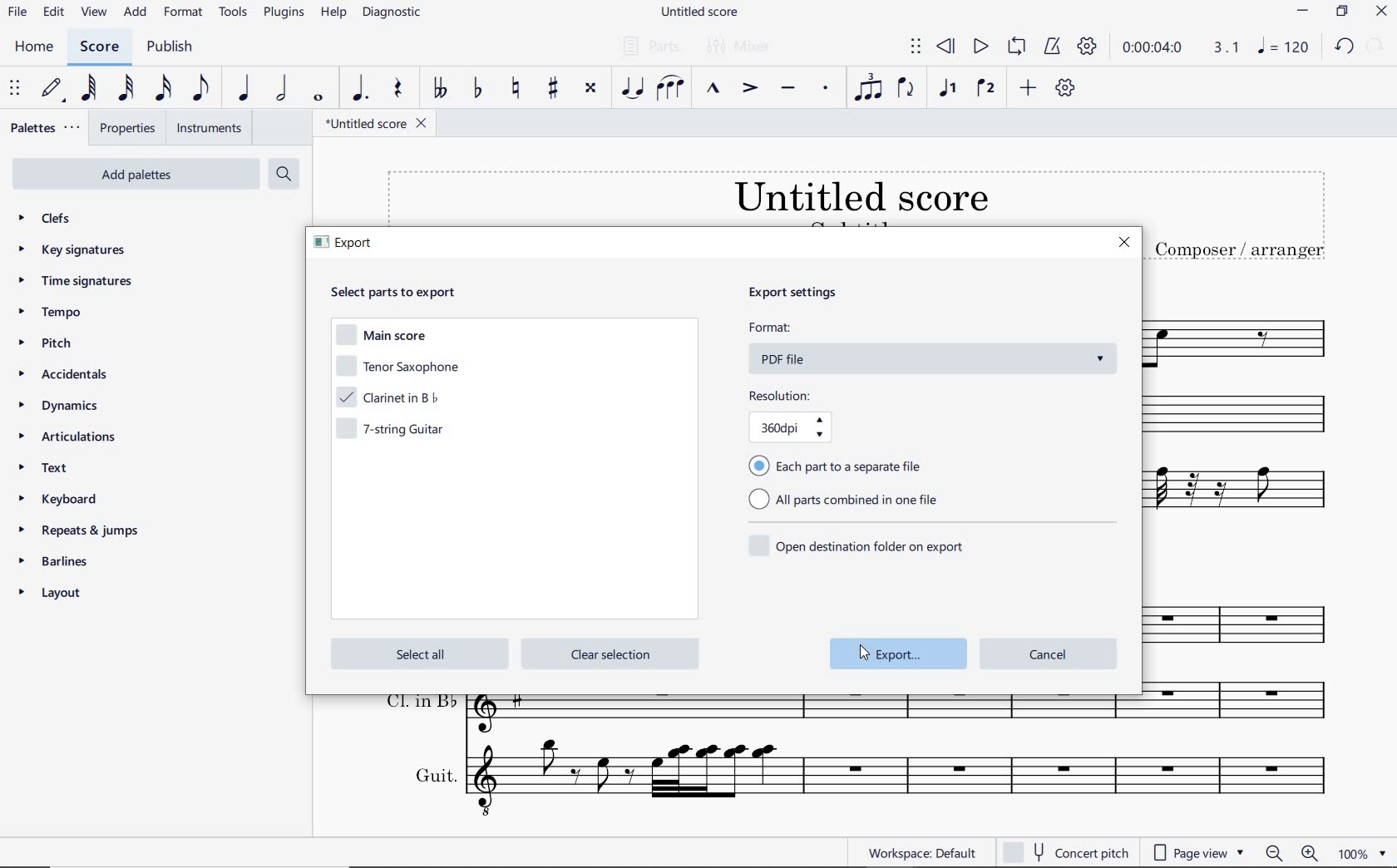 Image resolution: width=1397 pixels, height=868 pixels. What do you see at coordinates (283, 173) in the screenshot?
I see `search palettes` at bounding box center [283, 173].